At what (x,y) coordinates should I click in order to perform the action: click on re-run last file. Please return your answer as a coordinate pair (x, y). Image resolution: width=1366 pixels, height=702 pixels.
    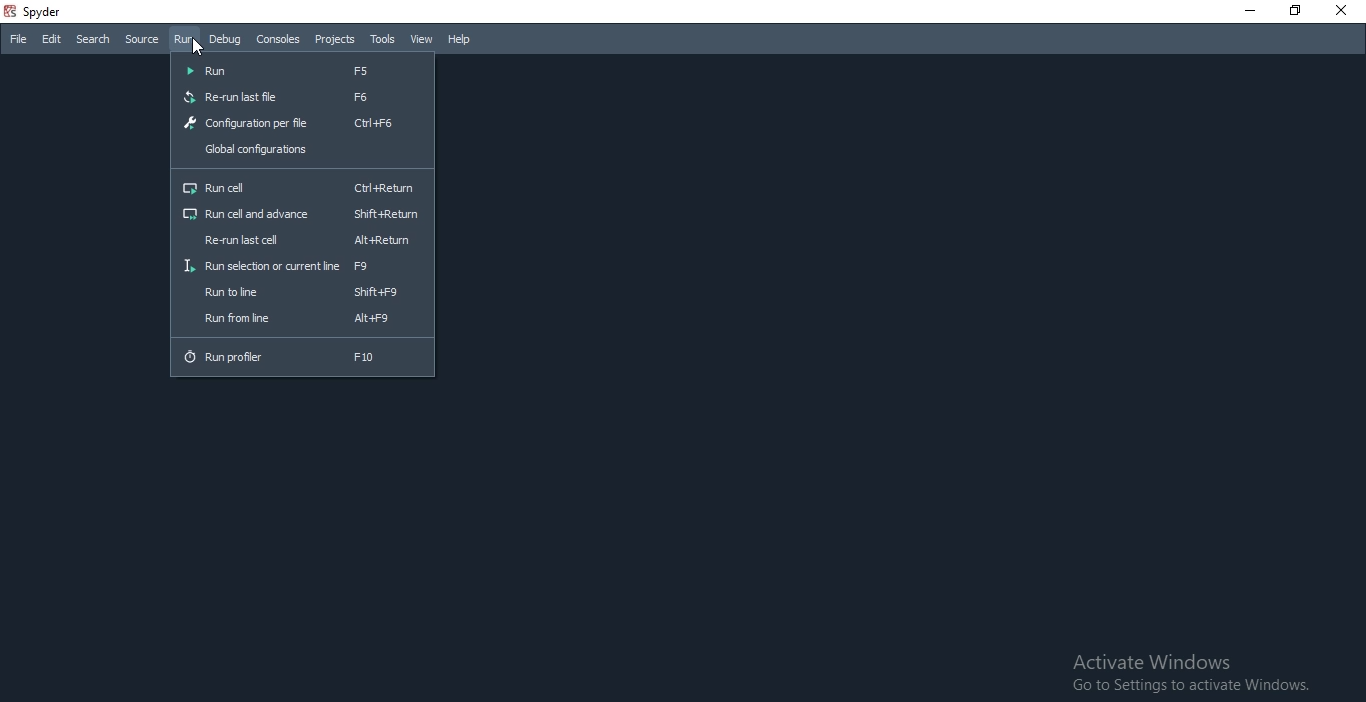
    Looking at the image, I should click on (303, 97).